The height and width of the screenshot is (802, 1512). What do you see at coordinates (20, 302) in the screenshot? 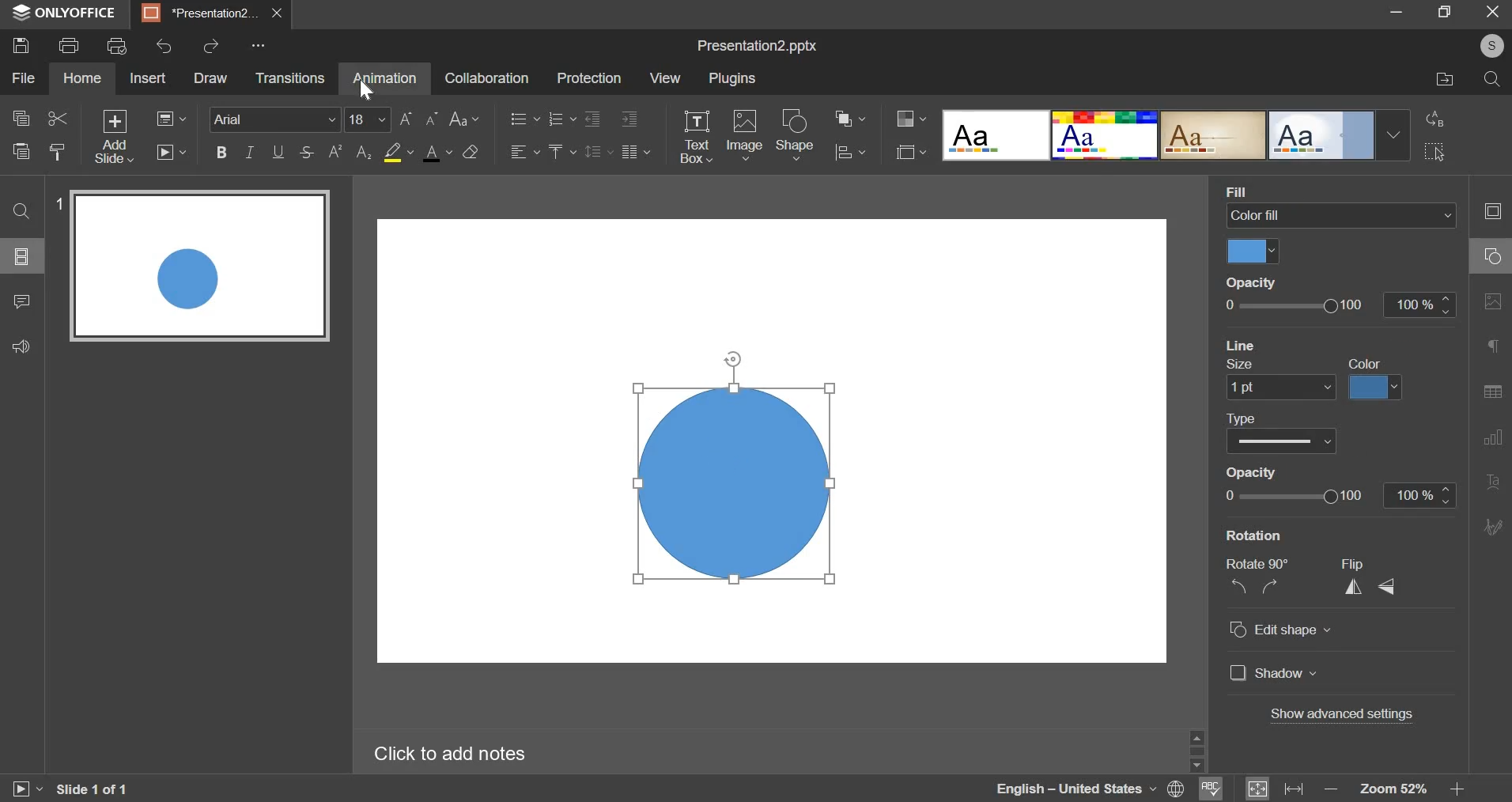
I see `comment` at bounding box center [20, 302].